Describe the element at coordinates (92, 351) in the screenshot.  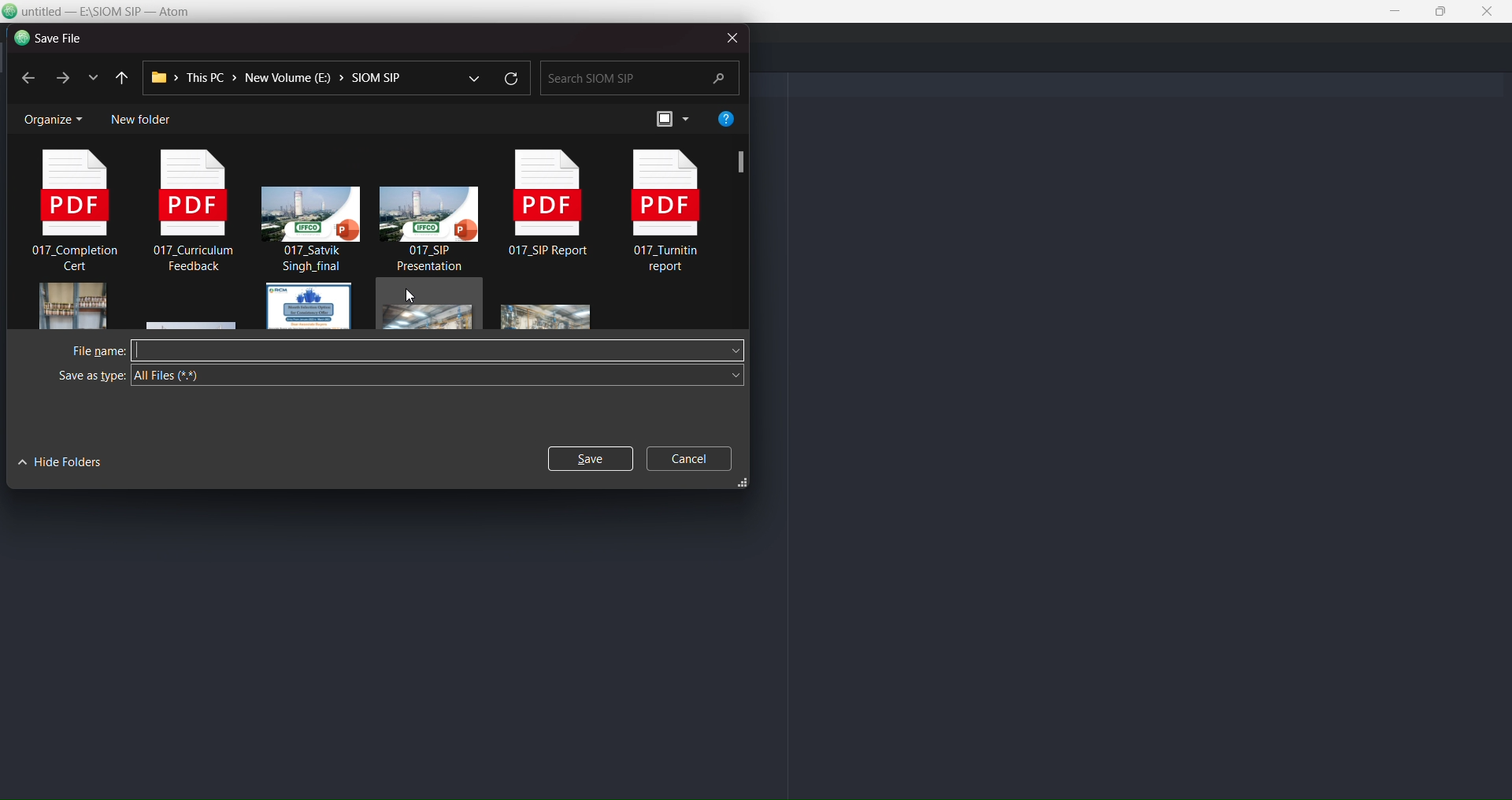
I see `filename` at that location.